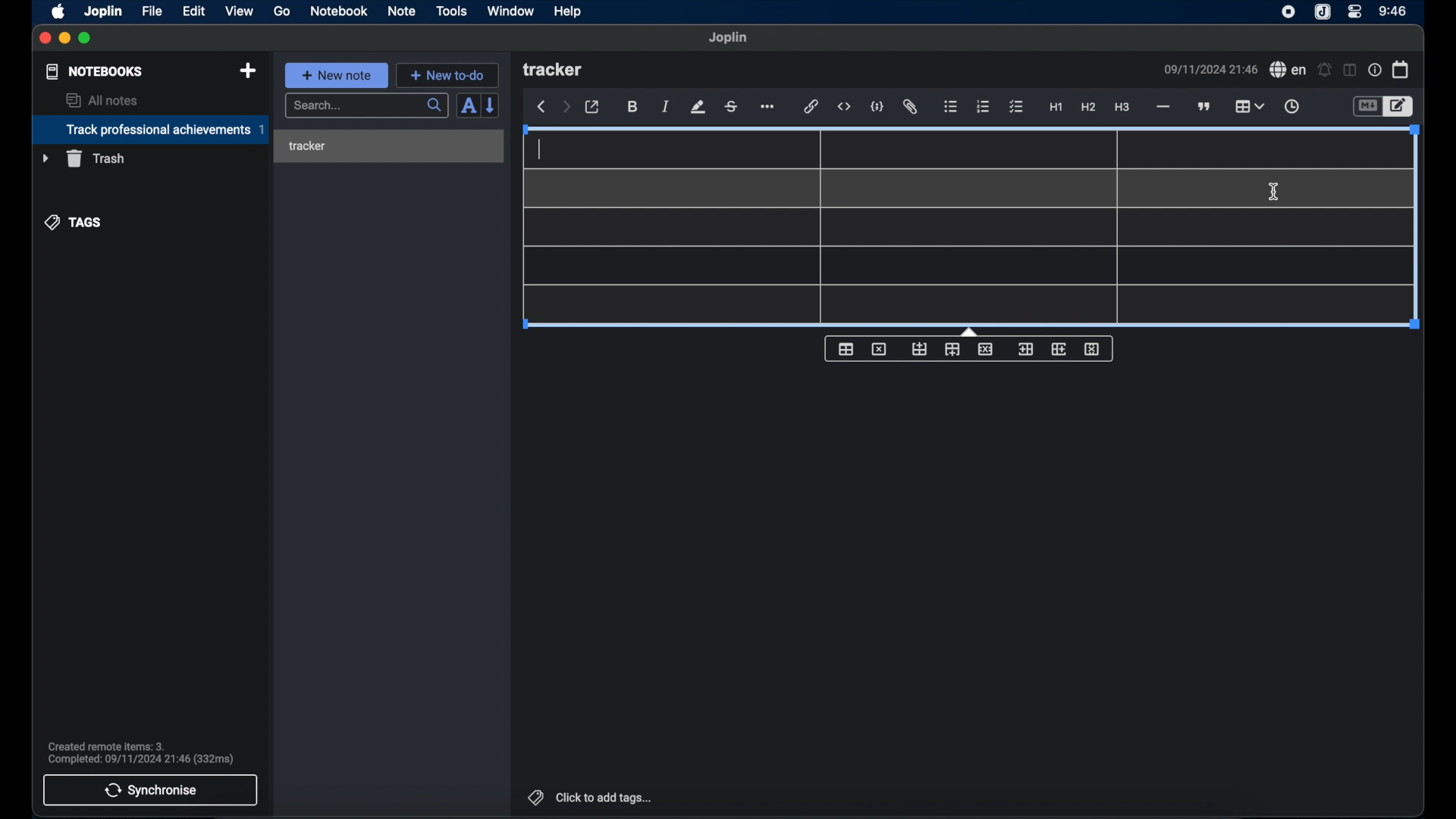 This screenshot has width=1456, height=819. Describe the element at coordinates (283, 11) in the screenshot. I see `go` at that location.